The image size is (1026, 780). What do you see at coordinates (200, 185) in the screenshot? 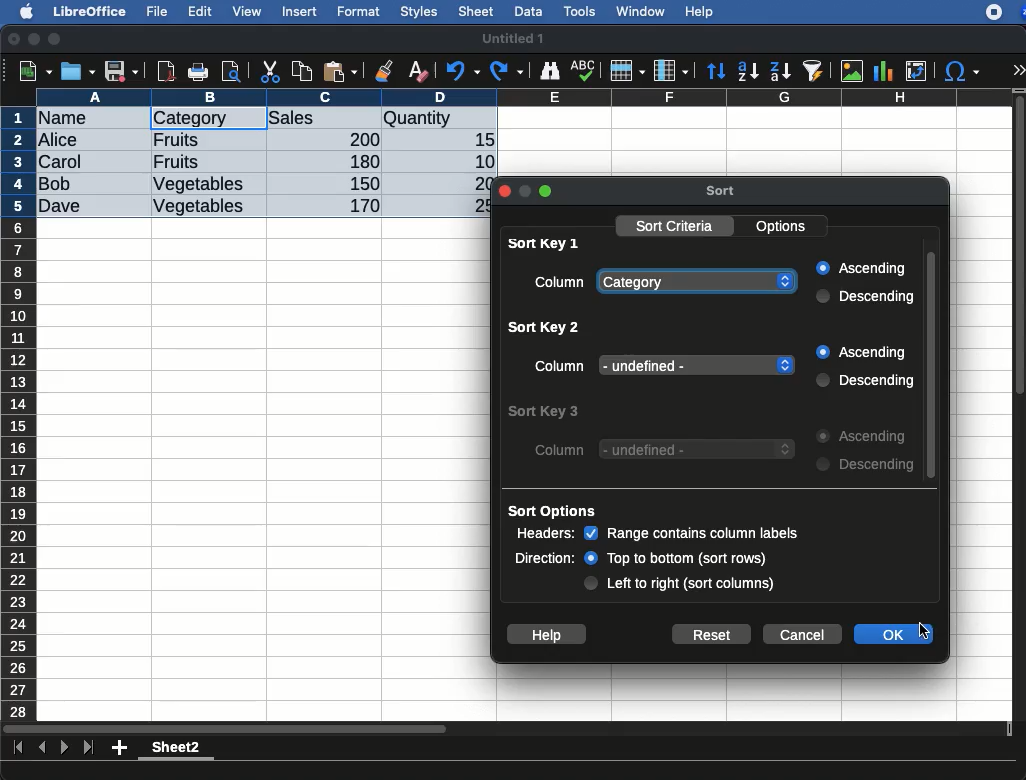
I see `Vegetables` at bounding box center [200, 185].